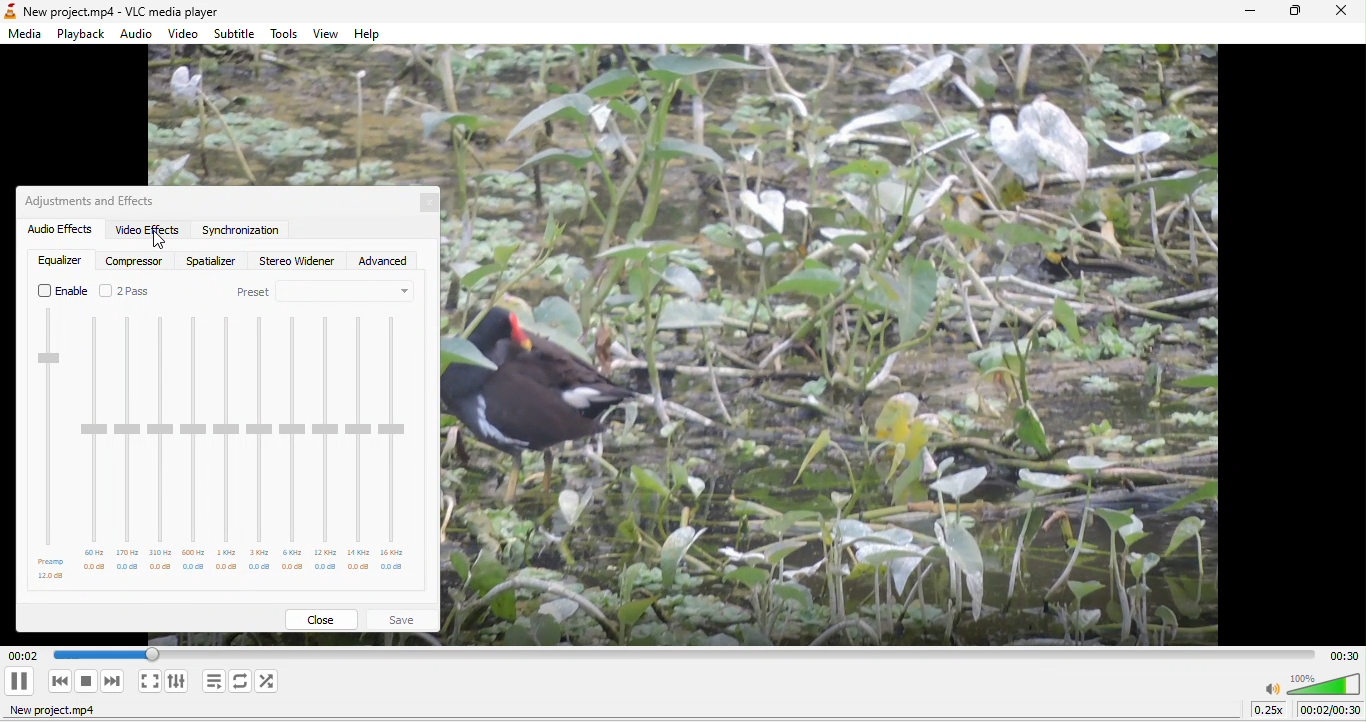 The width and height of the screenshot is (1366, 722). I want to click on audio effects, so click(59, 231).